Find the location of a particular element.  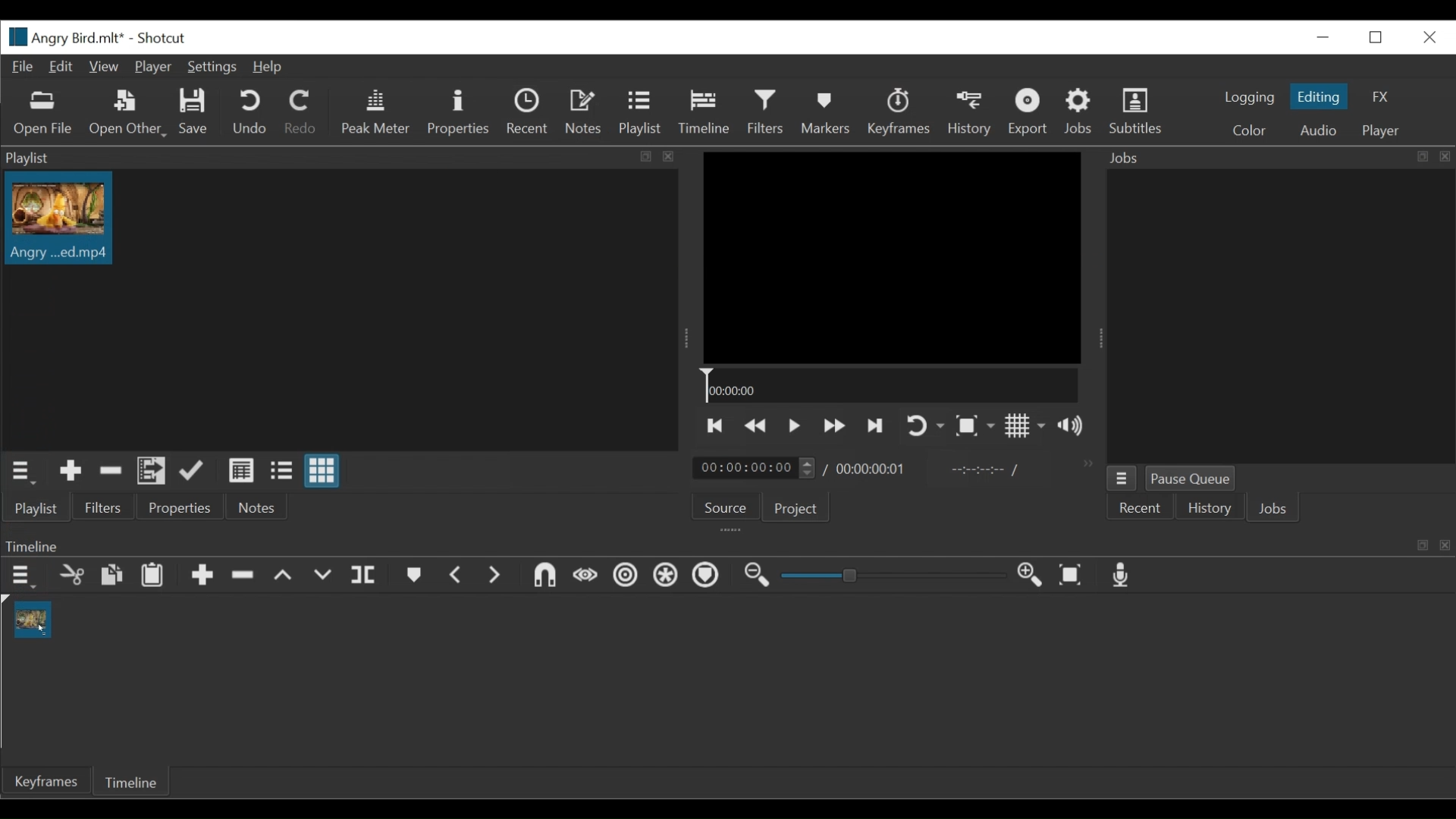

Jobs is located at coordinates (1273, 510).